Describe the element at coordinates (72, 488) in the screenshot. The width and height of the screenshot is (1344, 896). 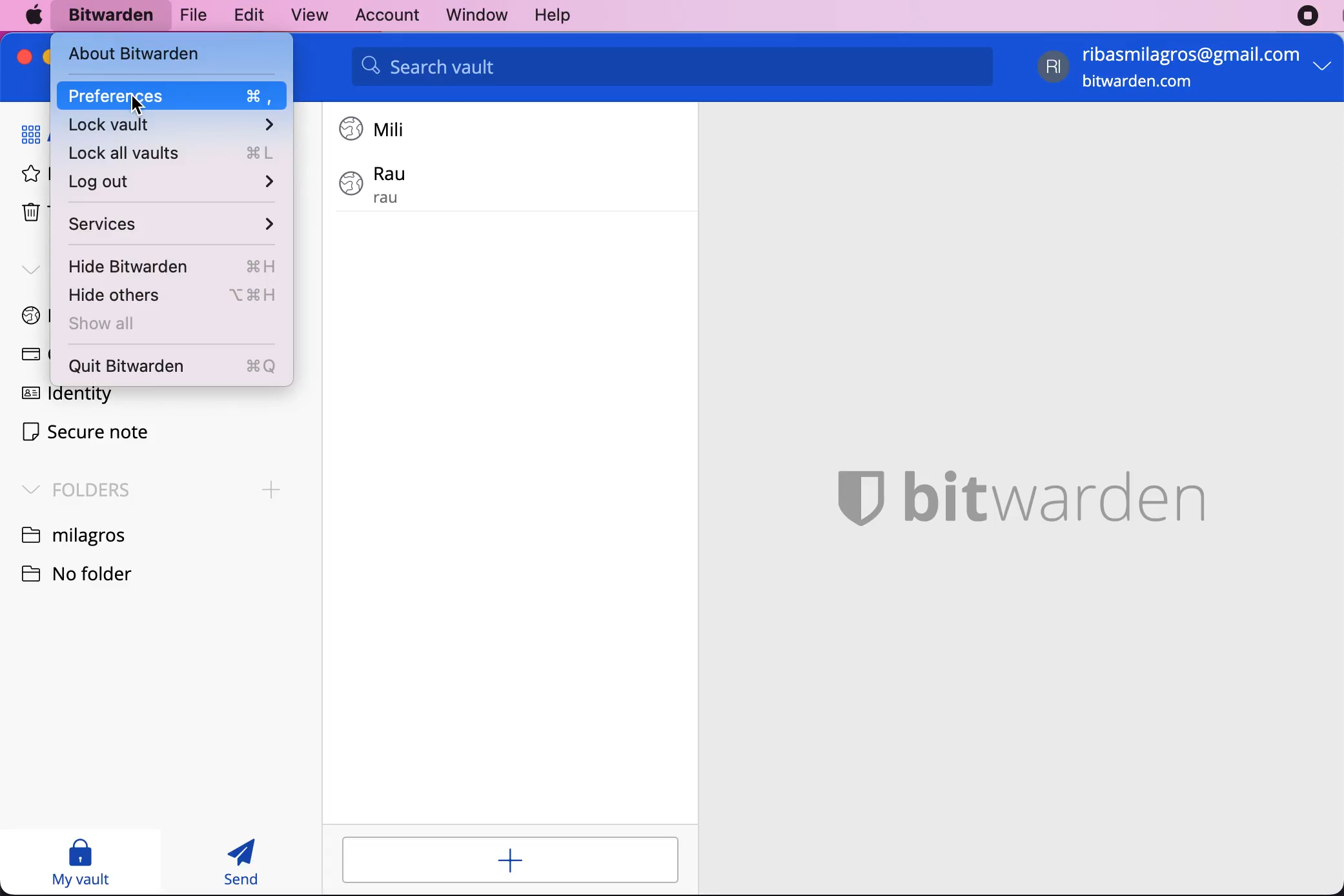
I see `folders` at that location.